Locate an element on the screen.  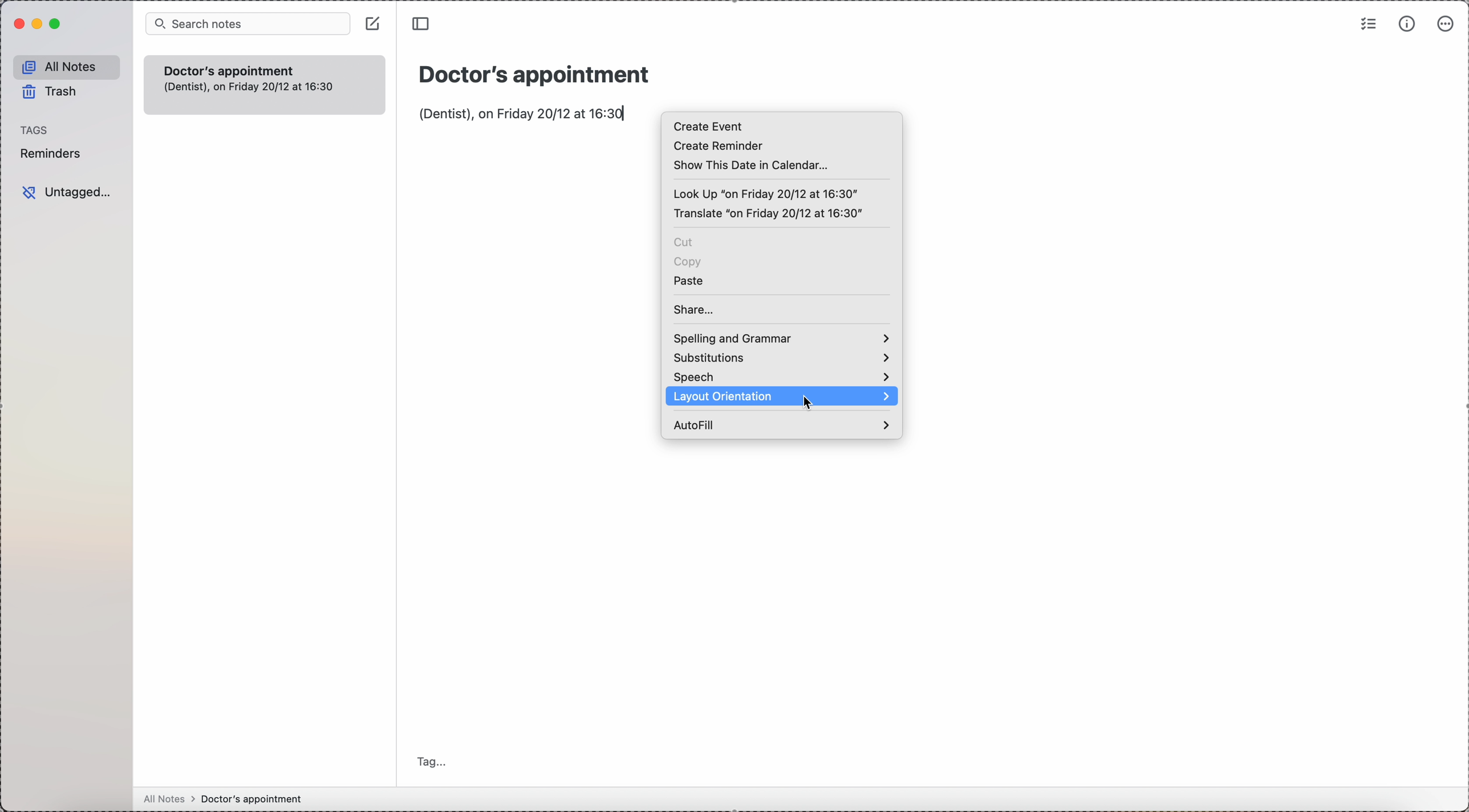
close Simplenote is located at coordinates (15, 23).